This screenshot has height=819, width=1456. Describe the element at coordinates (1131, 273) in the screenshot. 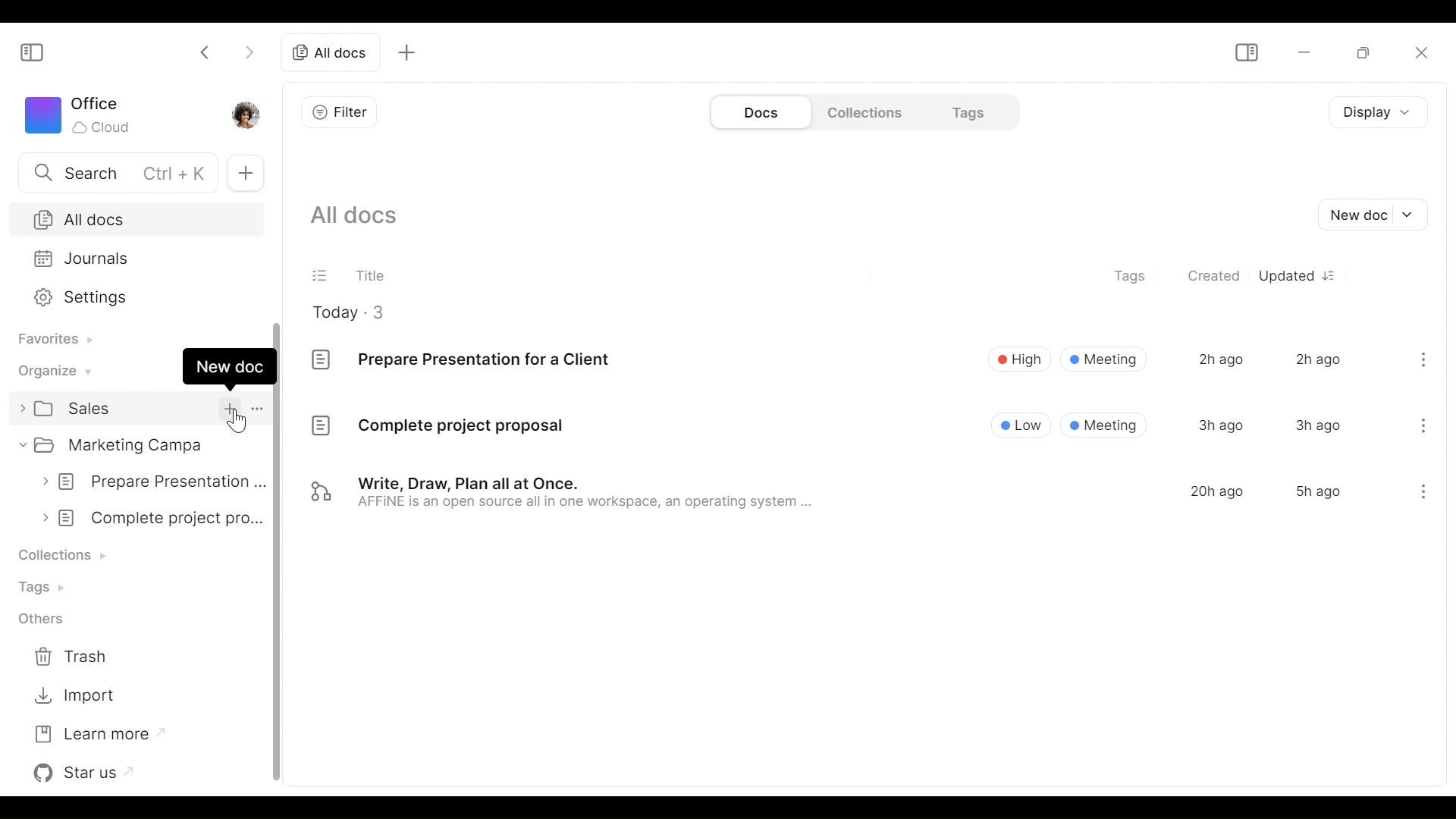

I see `Tags` at that location.